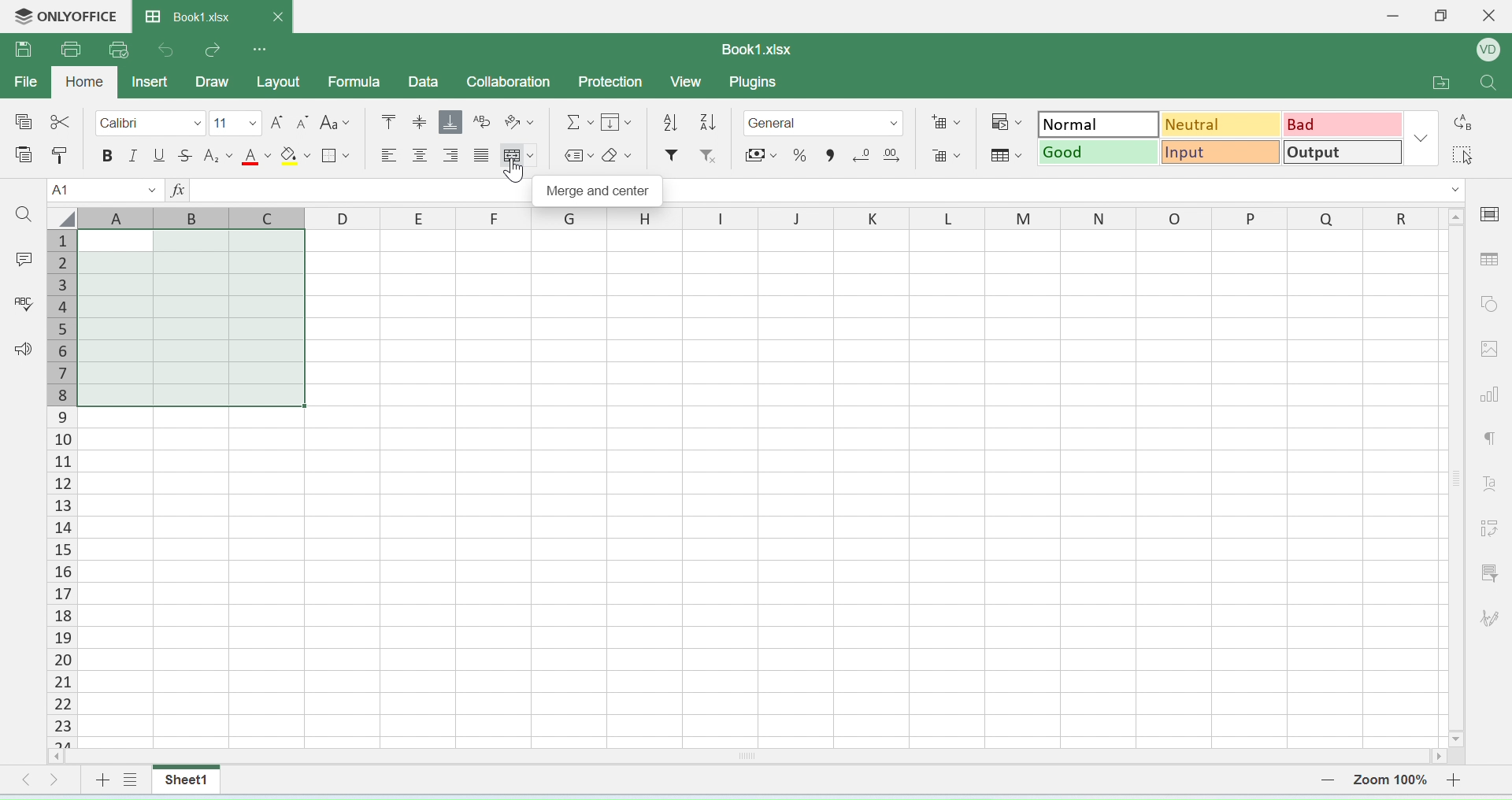  I want to click on highlighted cells, so click(193, 317).